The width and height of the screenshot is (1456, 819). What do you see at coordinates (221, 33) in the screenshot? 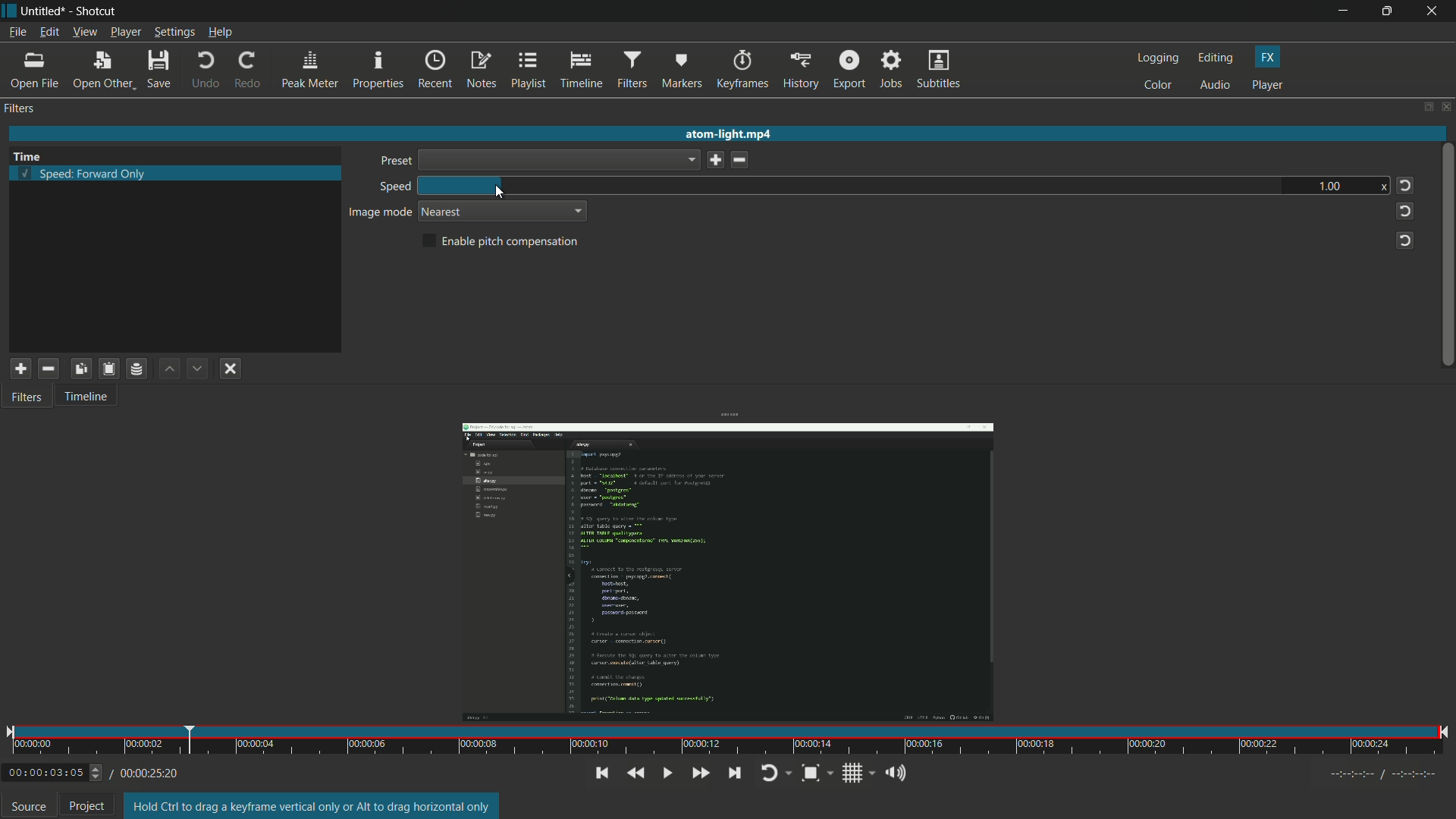
I see `help menu` at bounding box center [221, 33].